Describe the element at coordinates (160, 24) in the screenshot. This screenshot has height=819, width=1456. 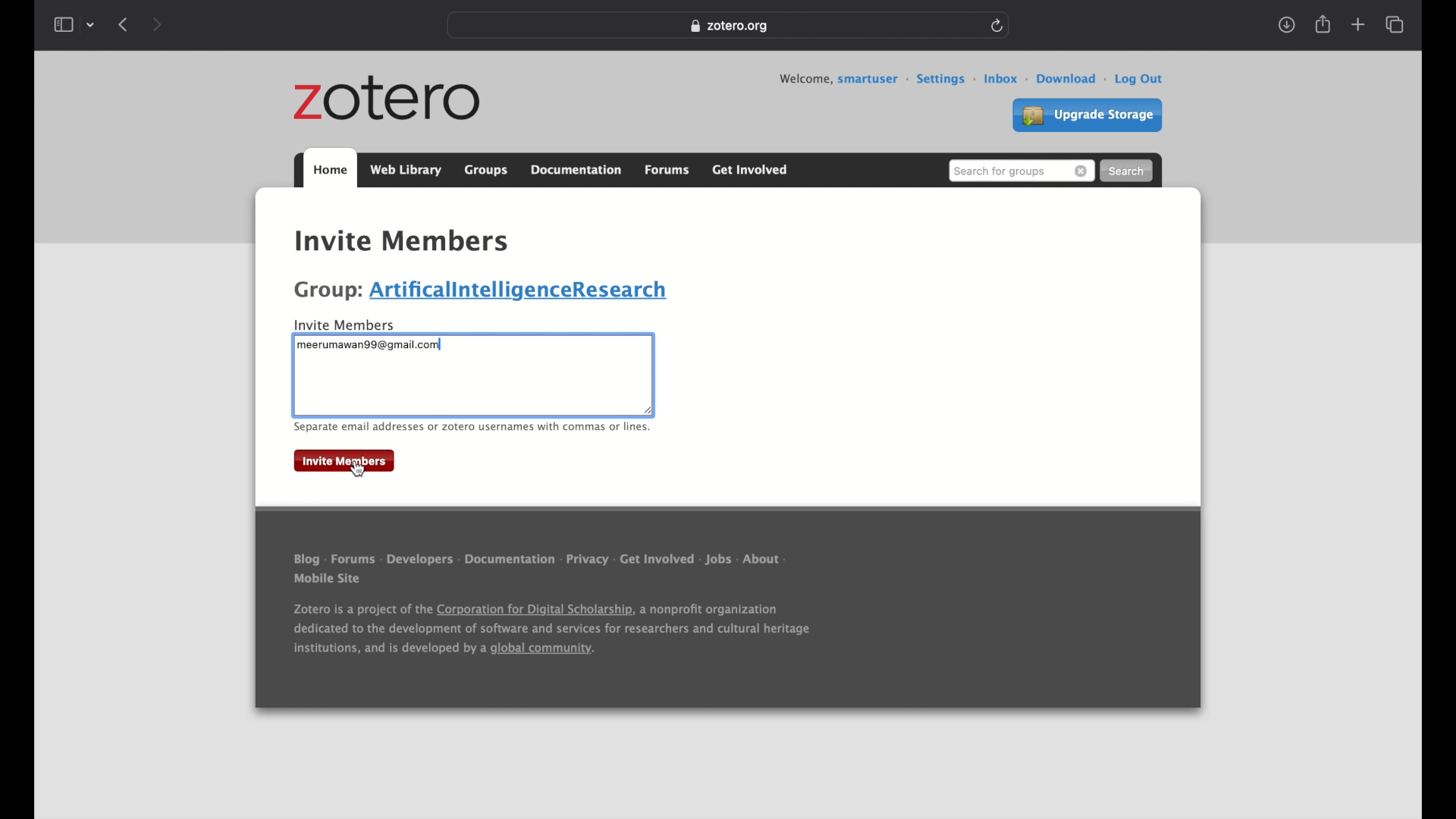
I see `next ` at that location.